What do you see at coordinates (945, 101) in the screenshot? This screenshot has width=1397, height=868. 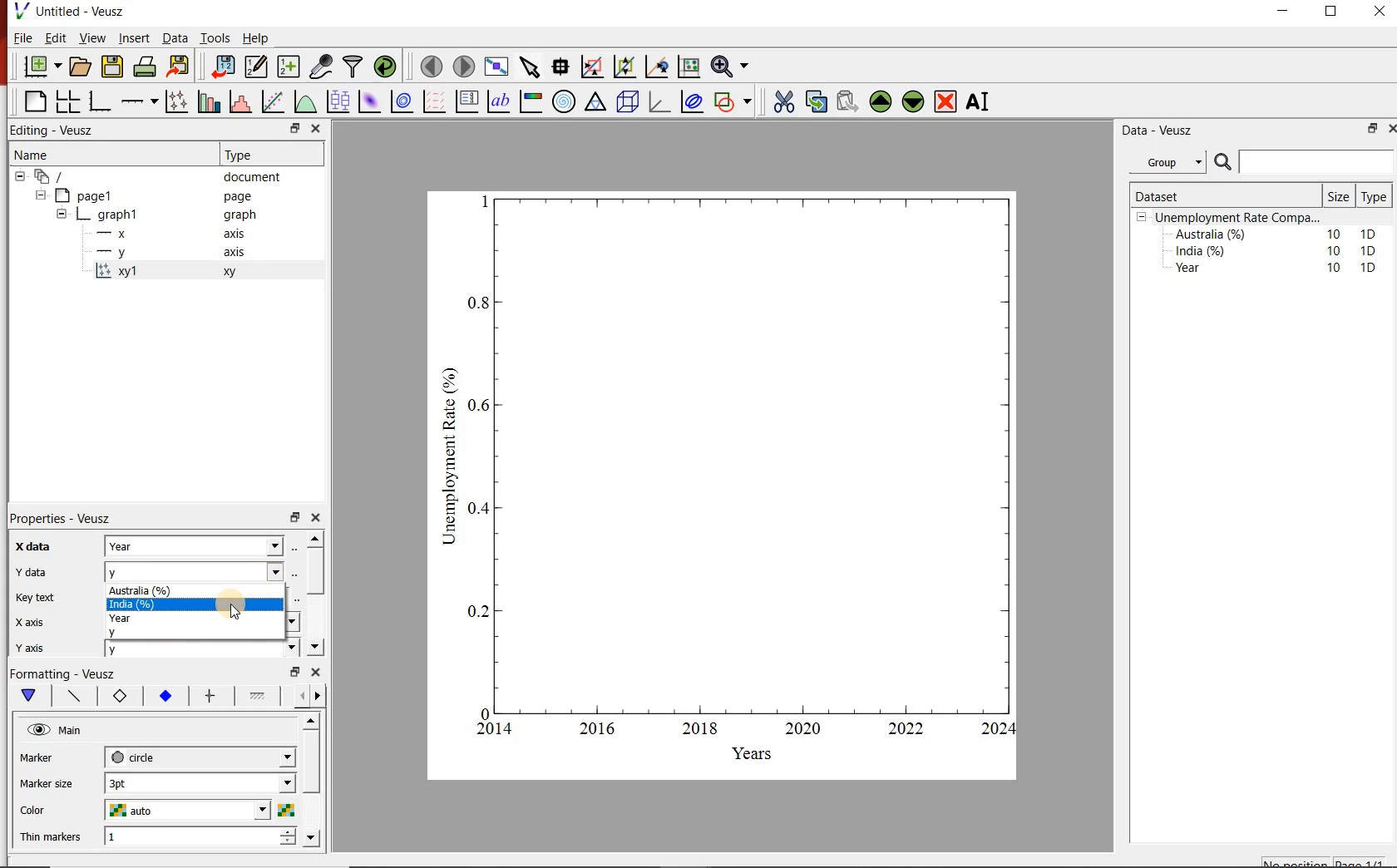 I see `remove the widgets` at bounding box center [945, 101].